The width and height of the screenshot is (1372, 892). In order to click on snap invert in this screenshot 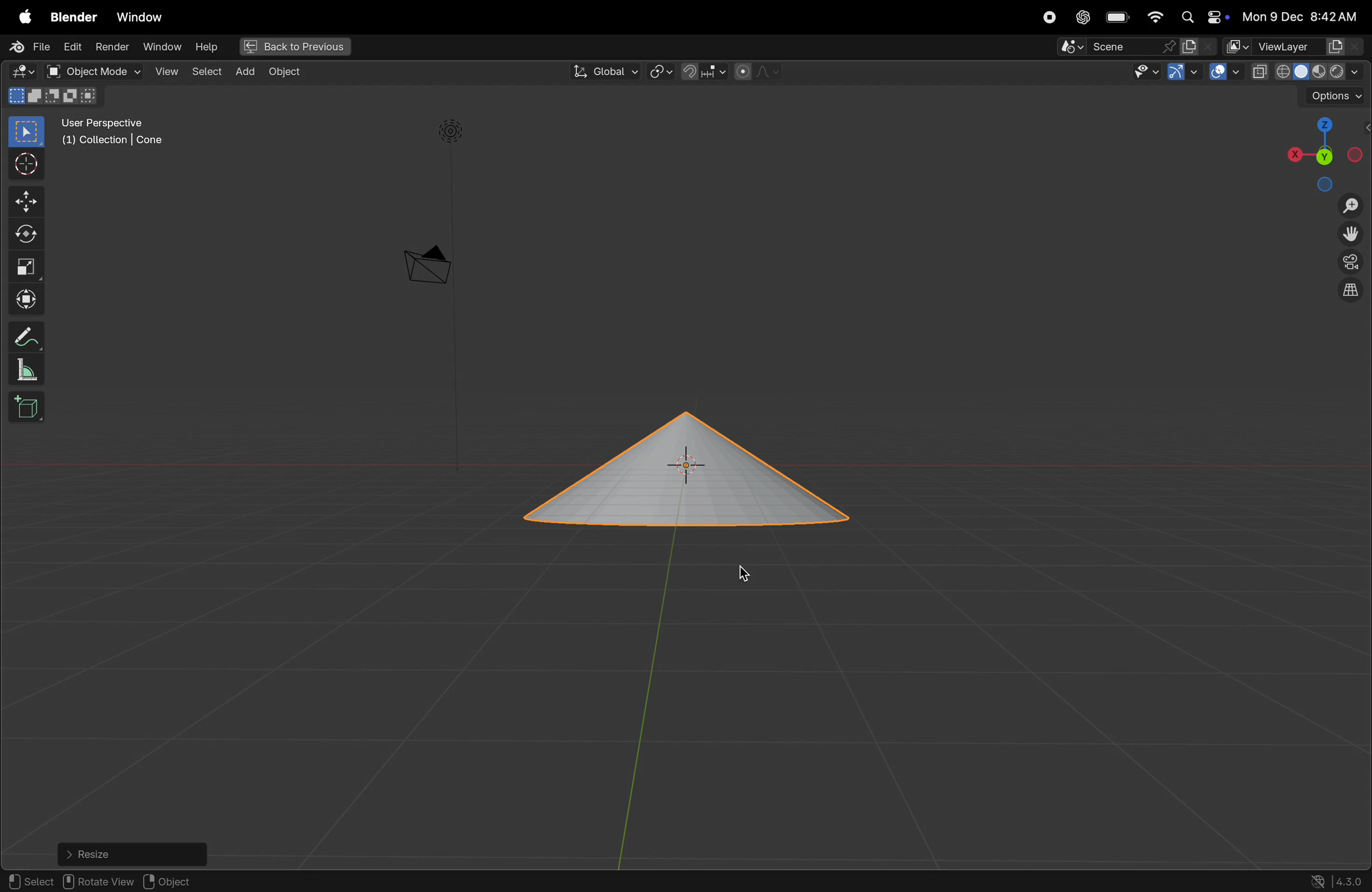, I will do `click(565, 879)`.